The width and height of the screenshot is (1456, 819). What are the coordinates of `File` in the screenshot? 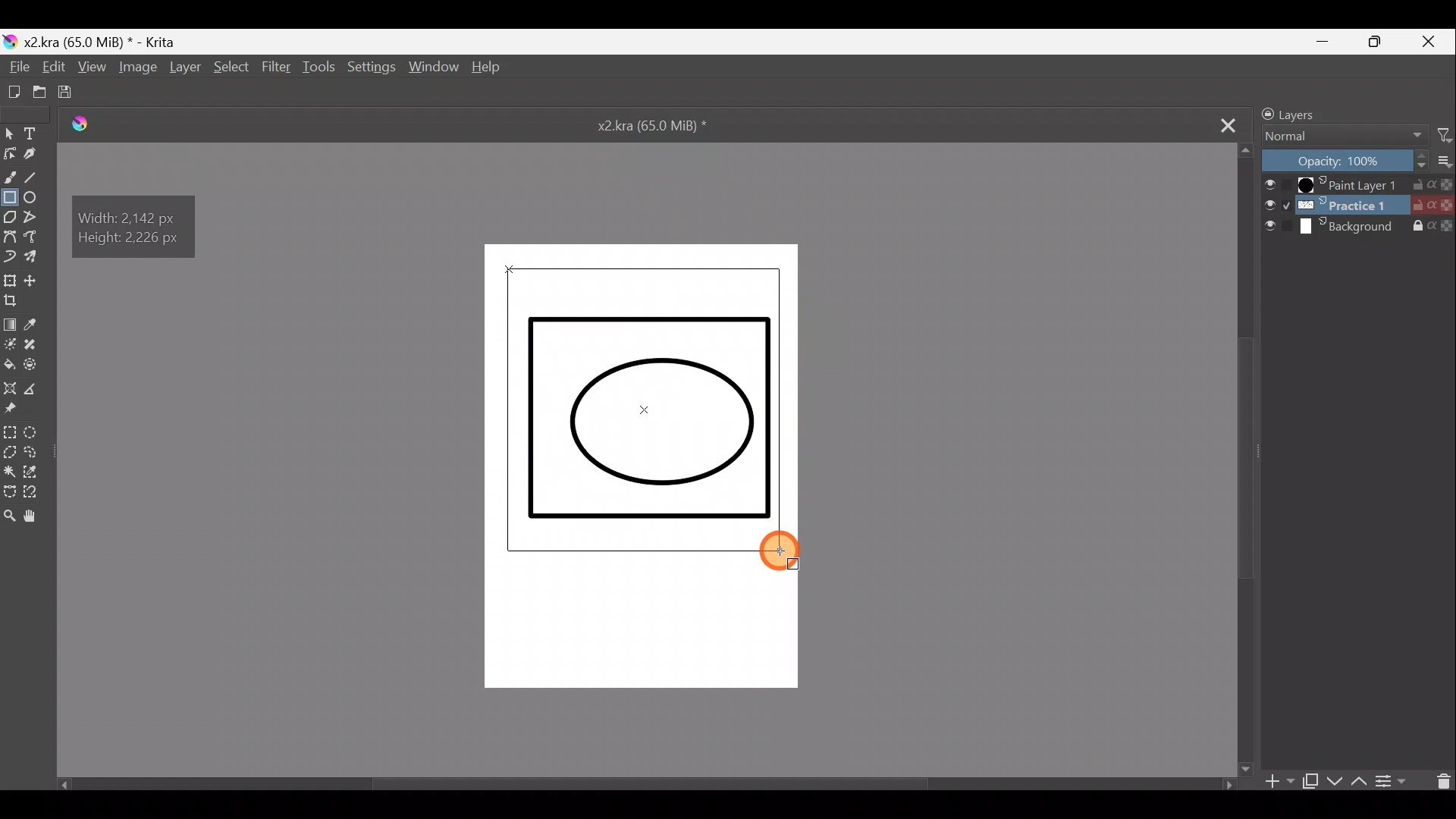 It's located at (15, 65).